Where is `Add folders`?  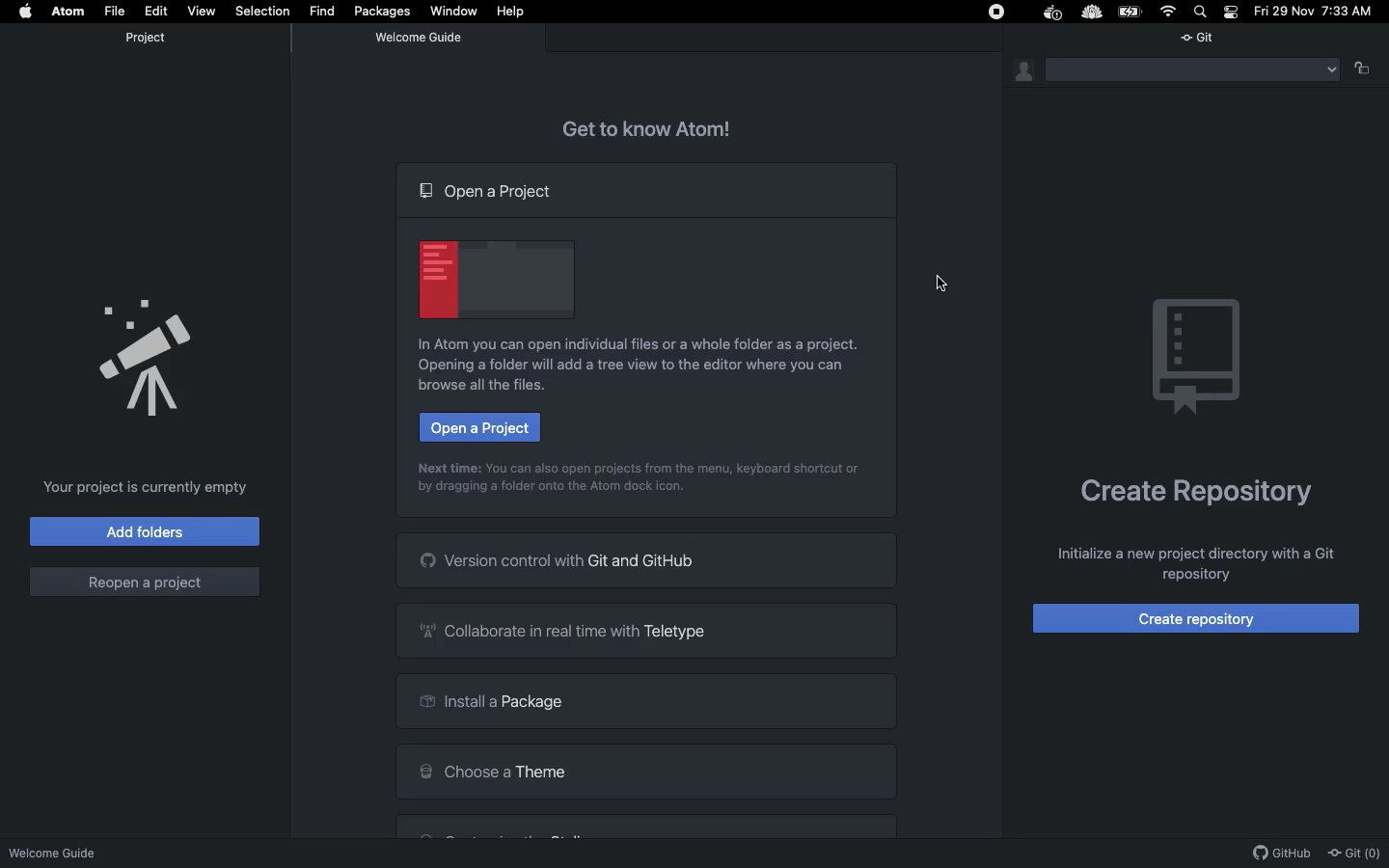
Add folders is located at coordinates (143, 530).